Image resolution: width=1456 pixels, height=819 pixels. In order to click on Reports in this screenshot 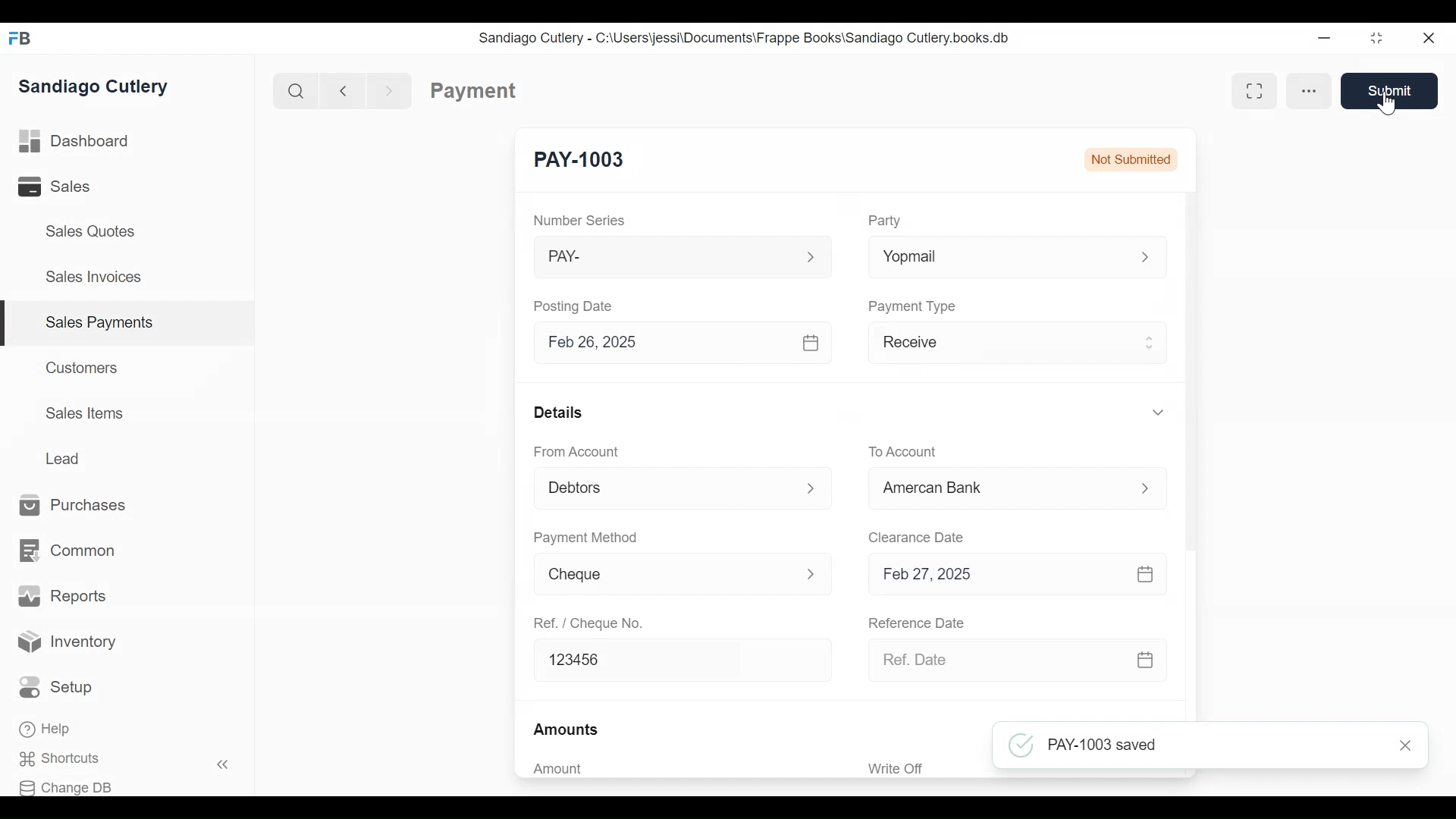, I will do `click(62, 596)`.